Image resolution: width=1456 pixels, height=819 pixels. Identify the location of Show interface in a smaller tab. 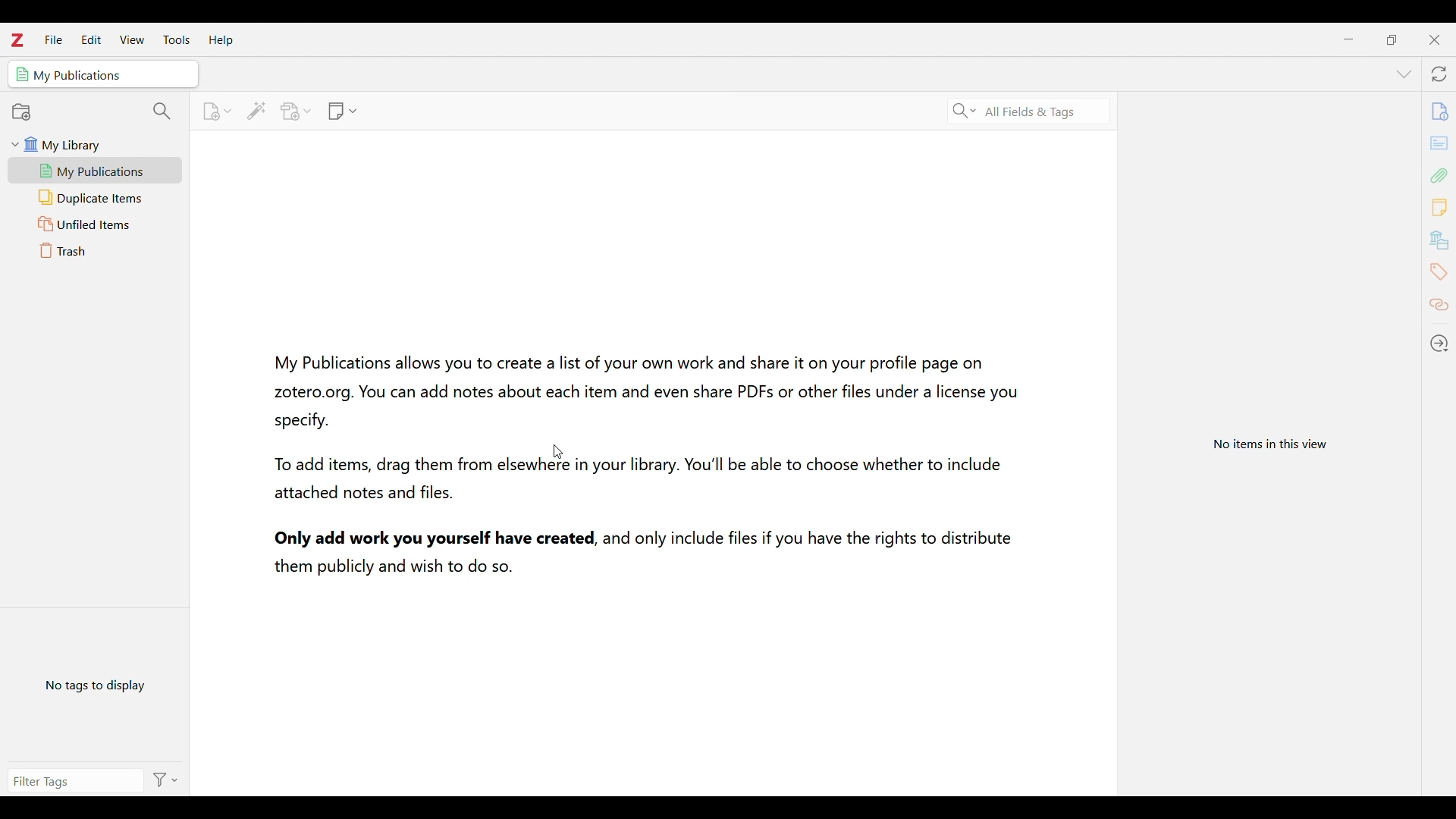
(1391, 39).